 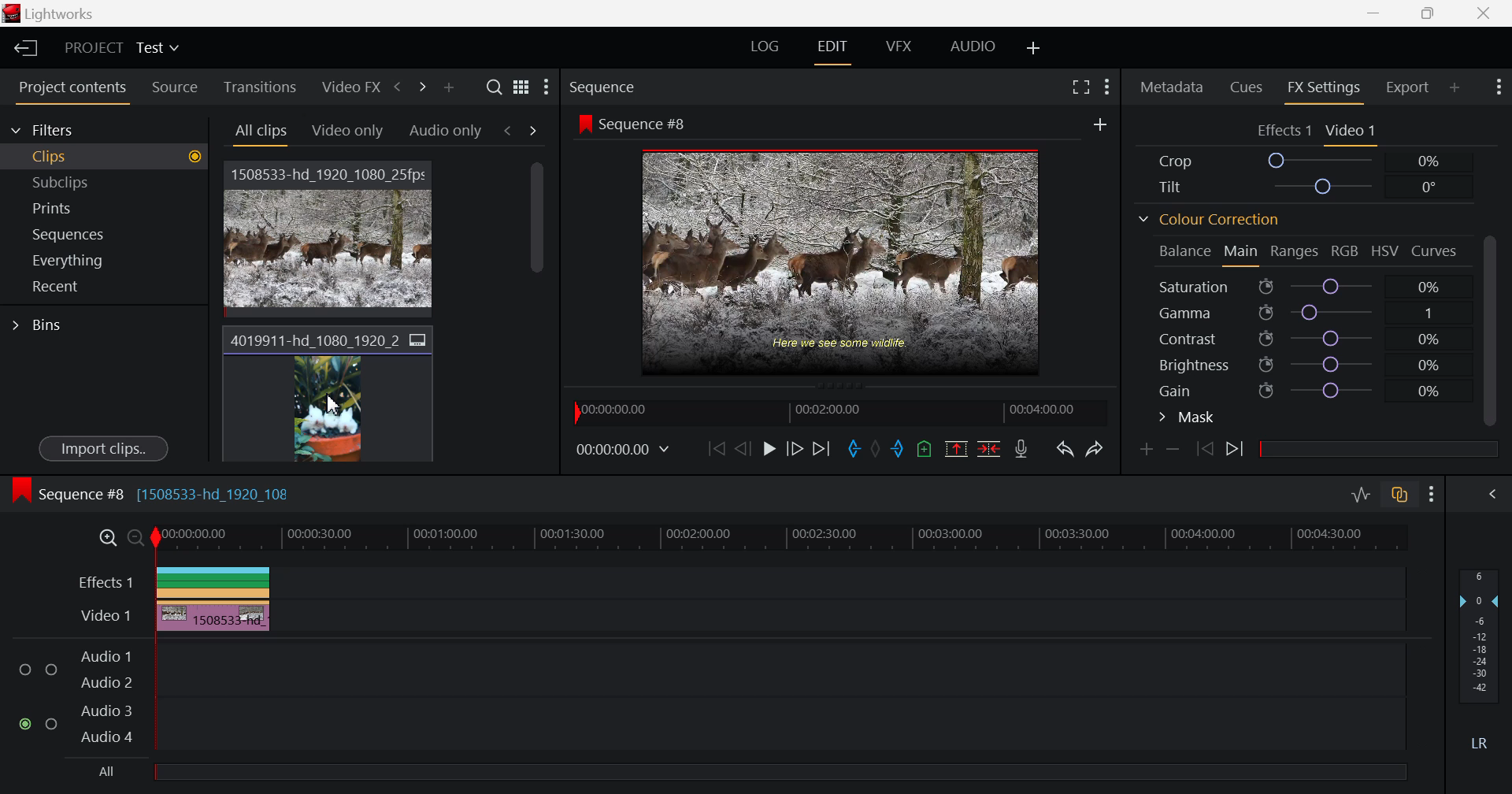 I want to click on Sequence Preview Section, so click(x=643, y=87).